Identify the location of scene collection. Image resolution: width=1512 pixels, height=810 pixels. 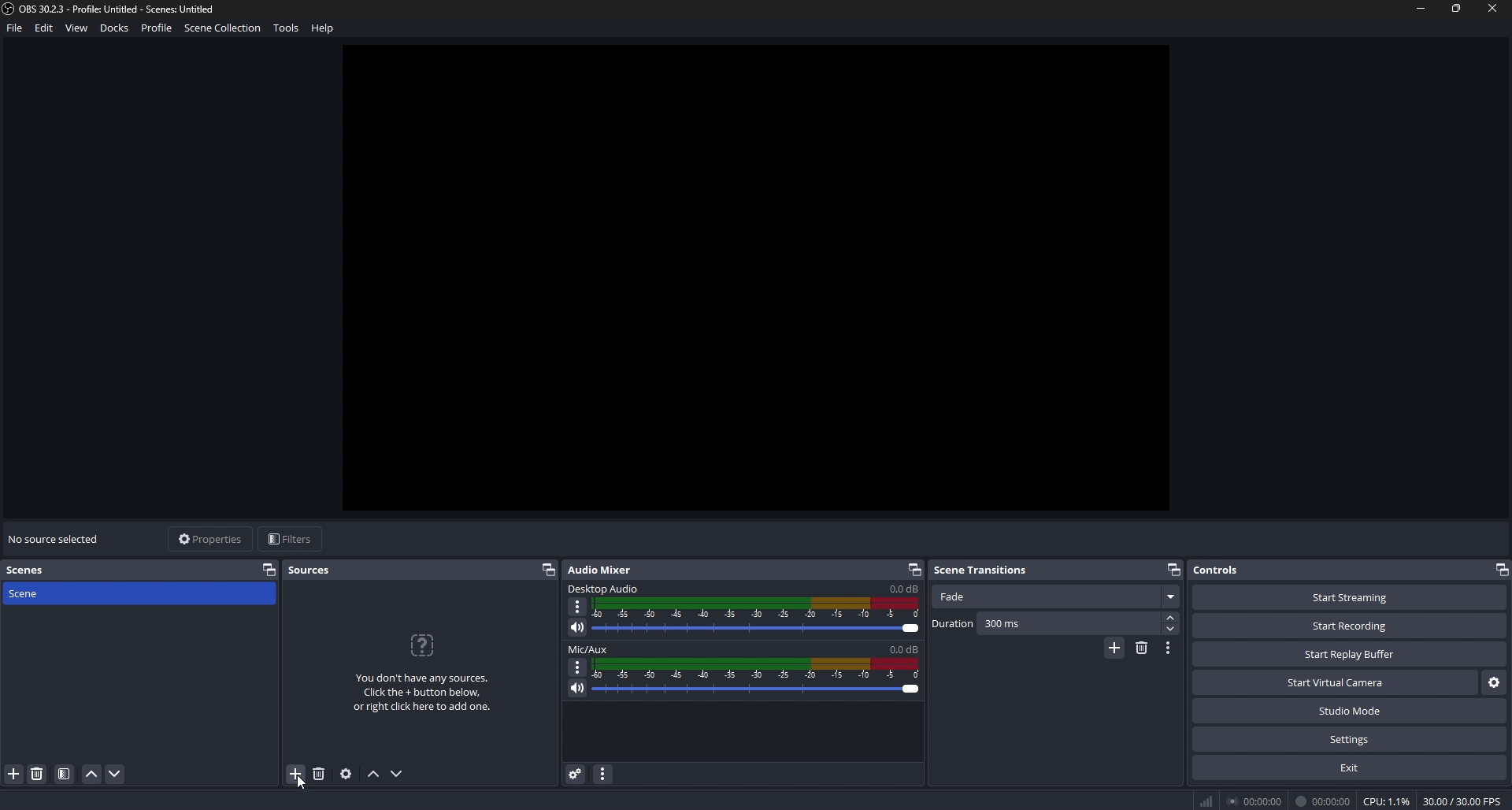
(225, 27).